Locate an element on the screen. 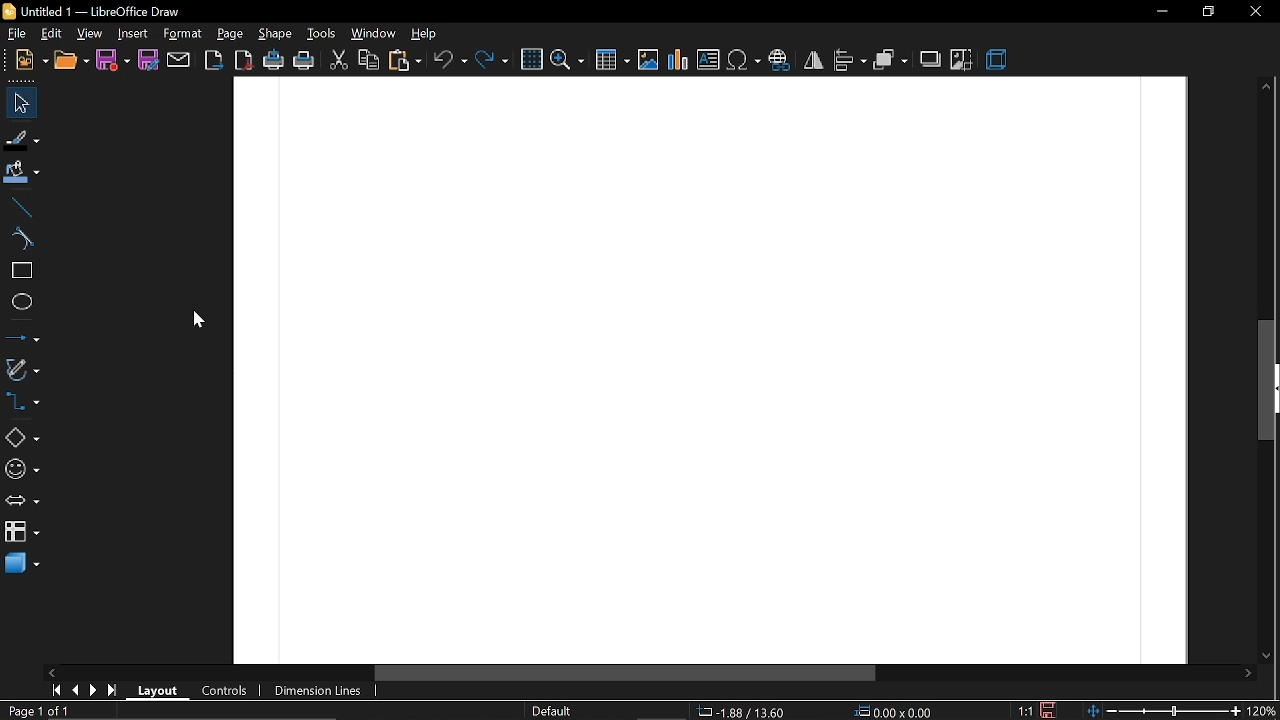  paste is located at coordinates (404, 60).